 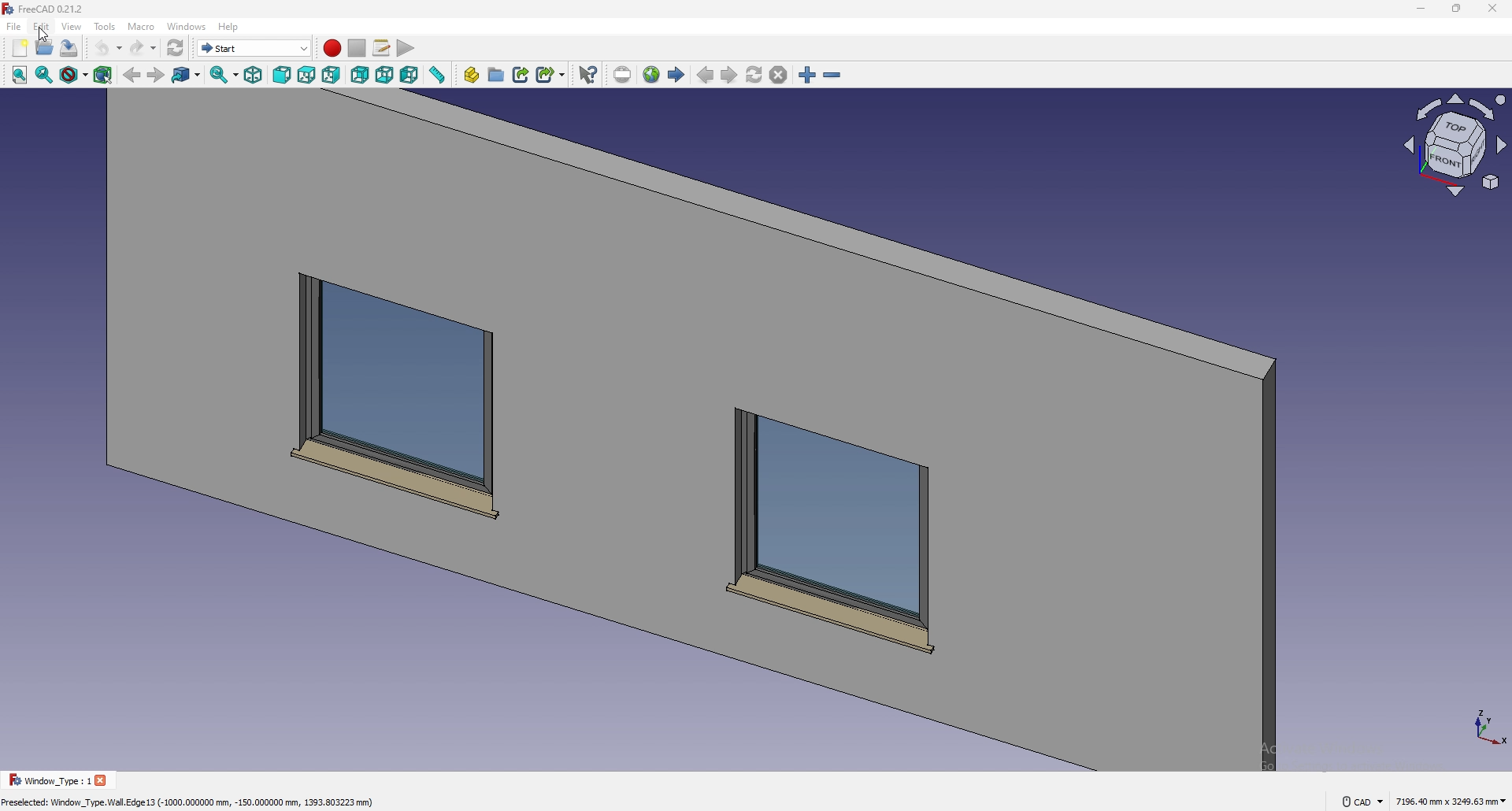 What do you see at coordinates (405, 50) in the screenshot?
I see `execute macro` at bounding box center [405, 50].